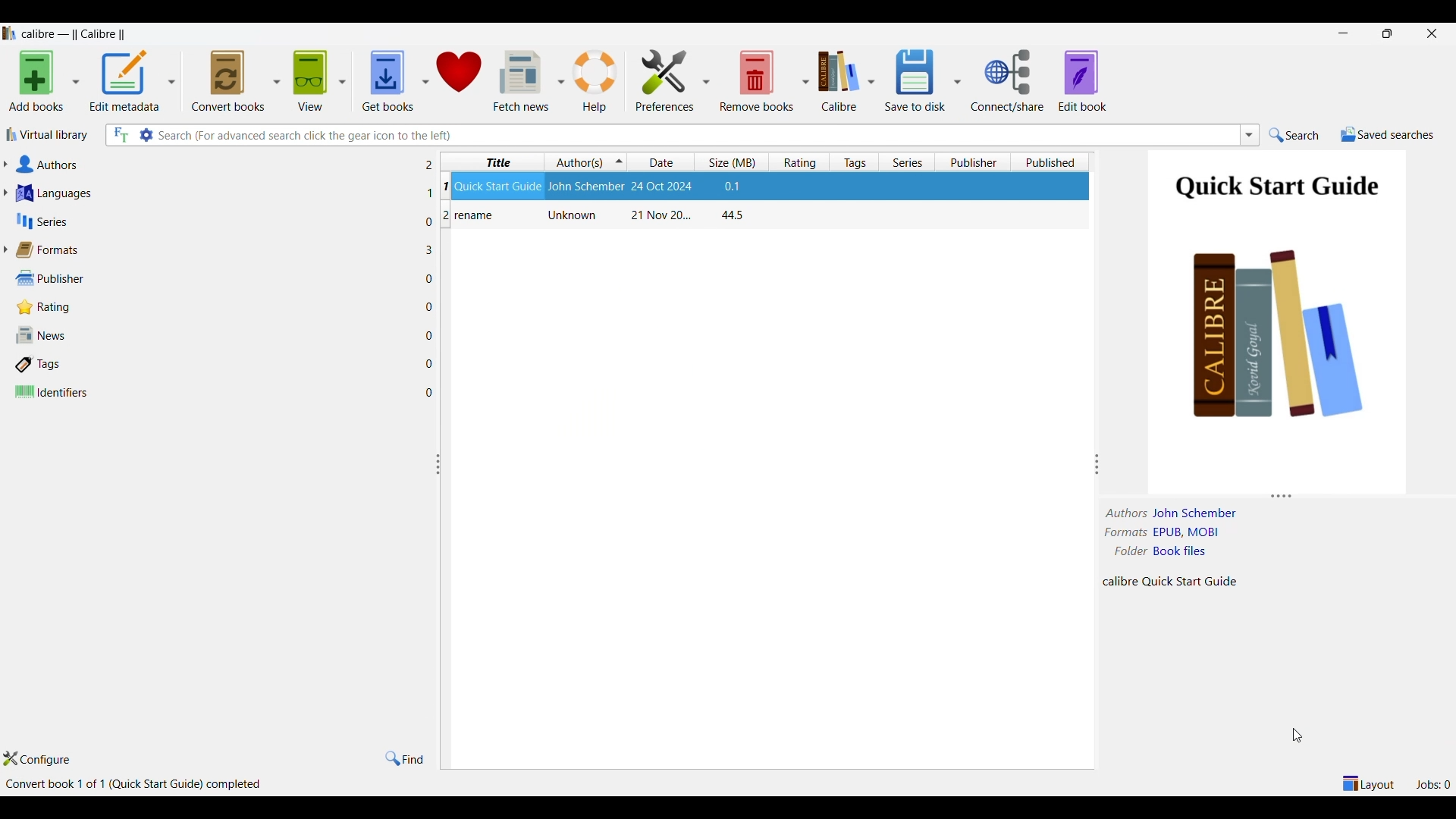 The image size is (1456, 819). What do you see at coordinates (695, 135) in the screenshot?
I see `Type in search` at bounding box center [695, 135].